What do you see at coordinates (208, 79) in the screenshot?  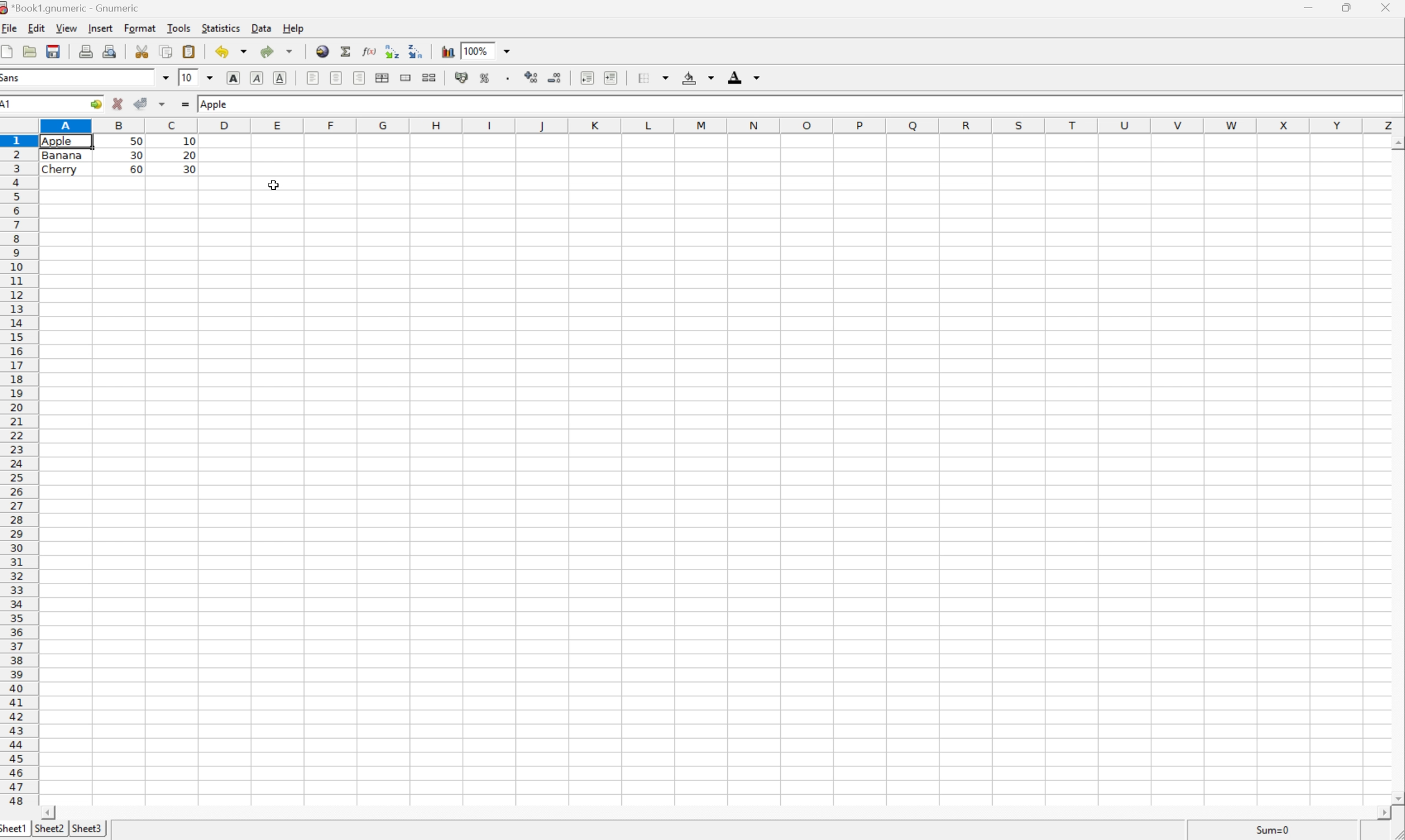 I see `drop down` at bounding box center [208, 79].